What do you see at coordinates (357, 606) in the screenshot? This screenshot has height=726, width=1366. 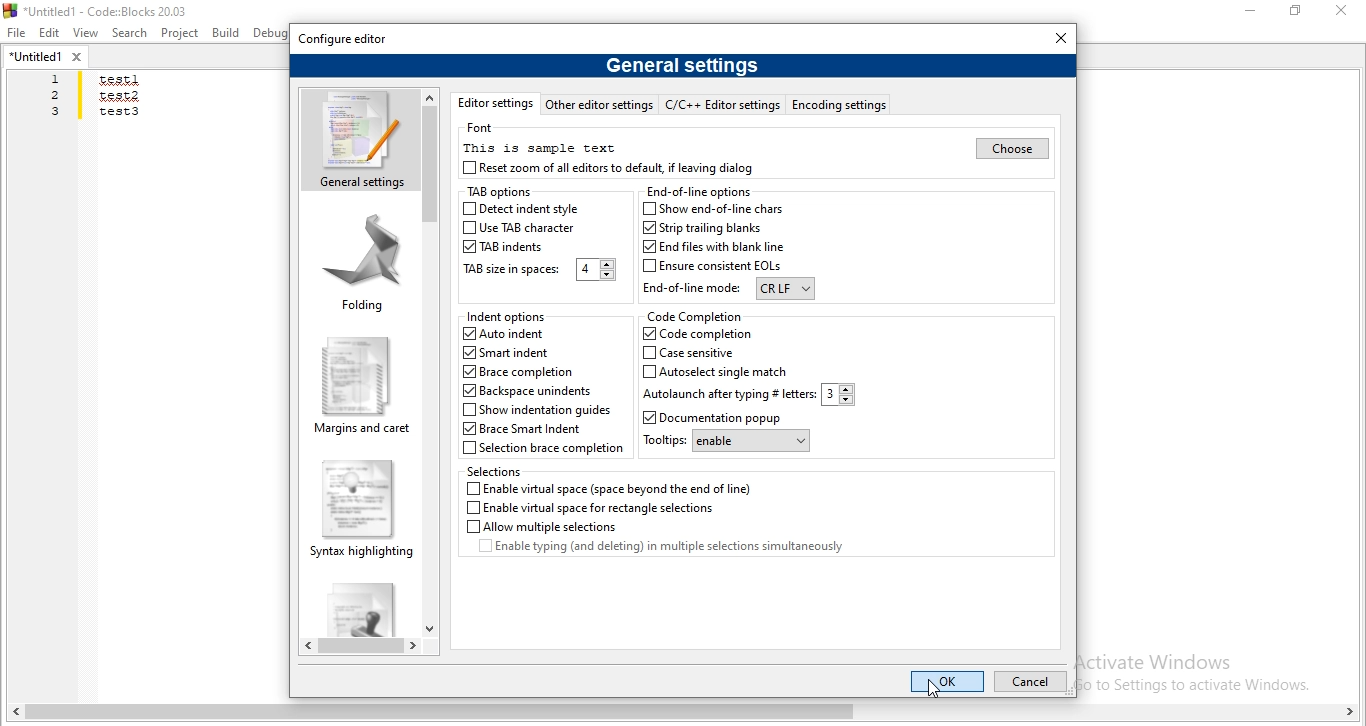 I see `stamp` at bounding box center [357, 606].